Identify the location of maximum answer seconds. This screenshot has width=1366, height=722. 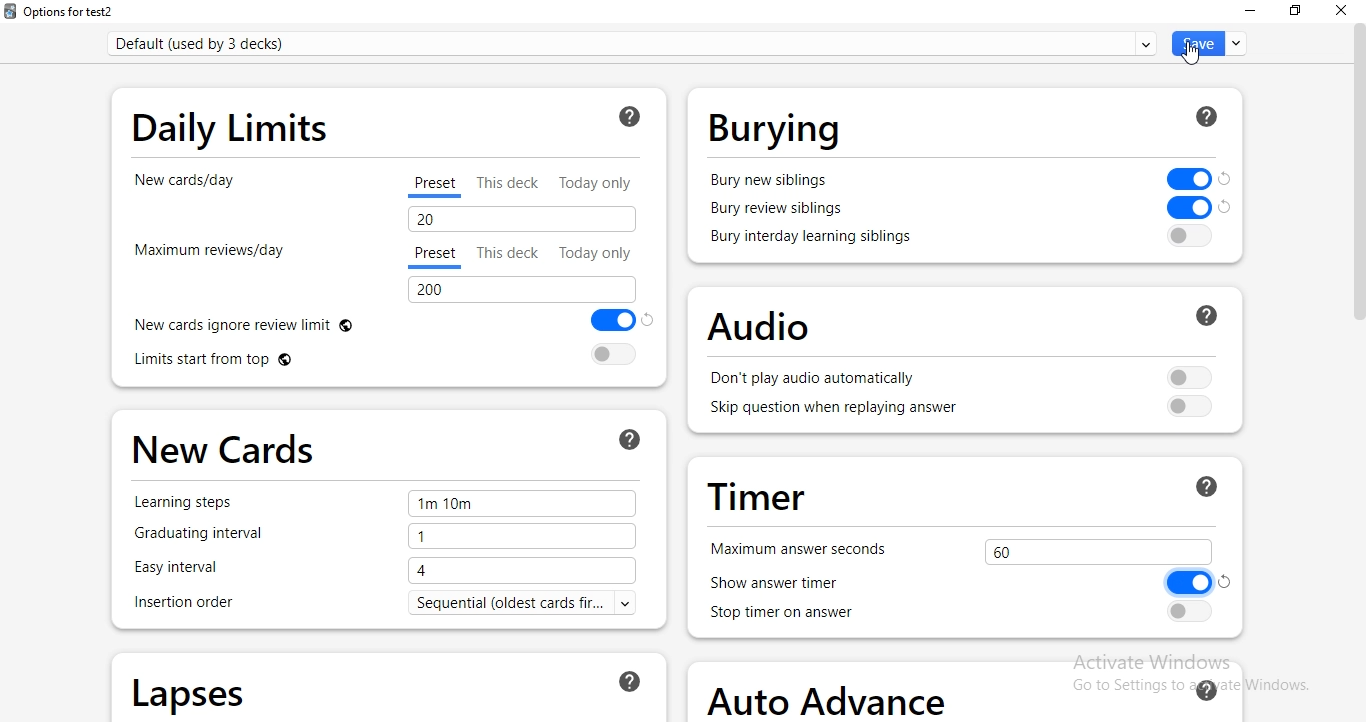
(808, 546).